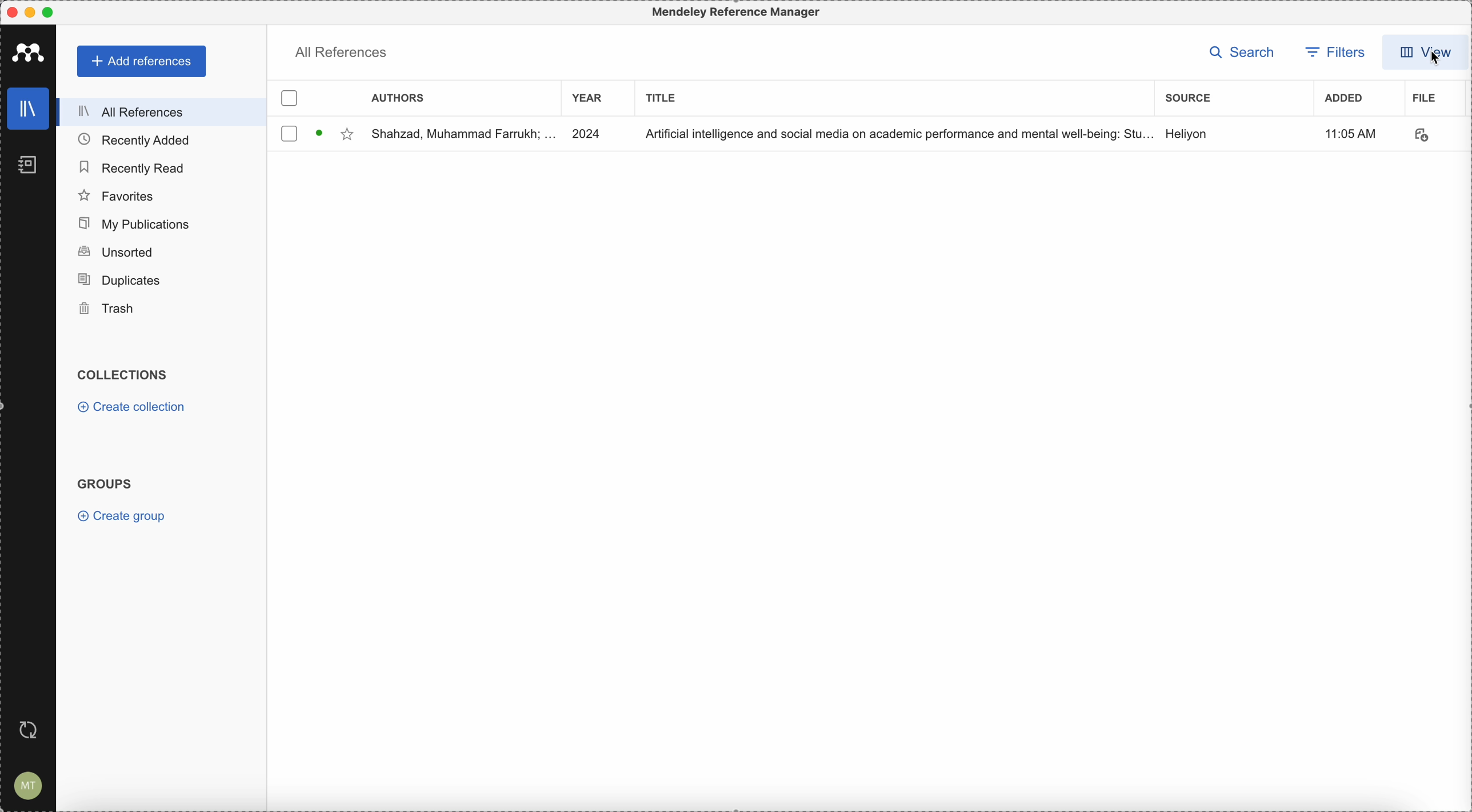  I want to click on collections, so click(122, 374).